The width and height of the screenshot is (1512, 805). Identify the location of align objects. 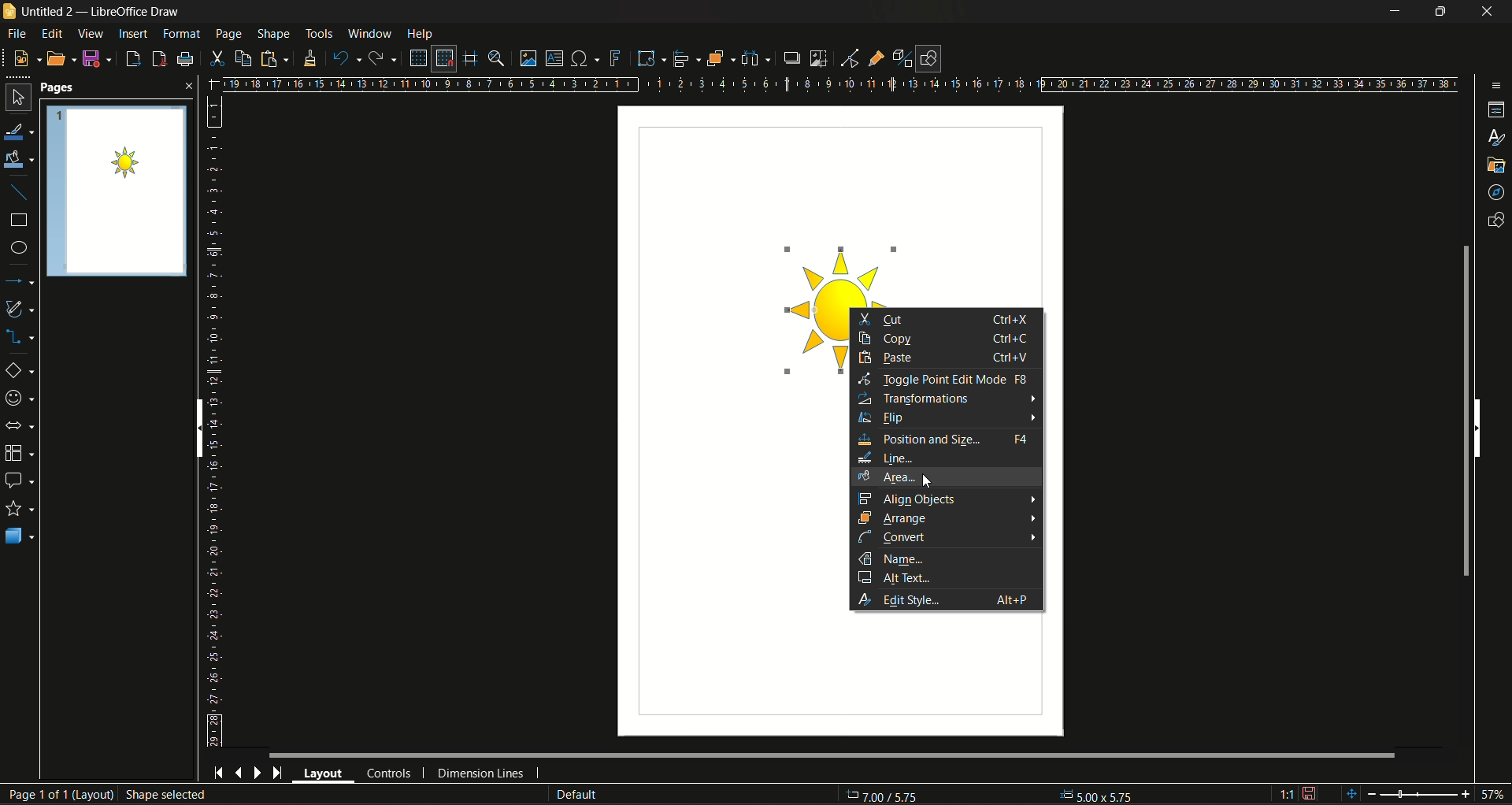
(906, 498).